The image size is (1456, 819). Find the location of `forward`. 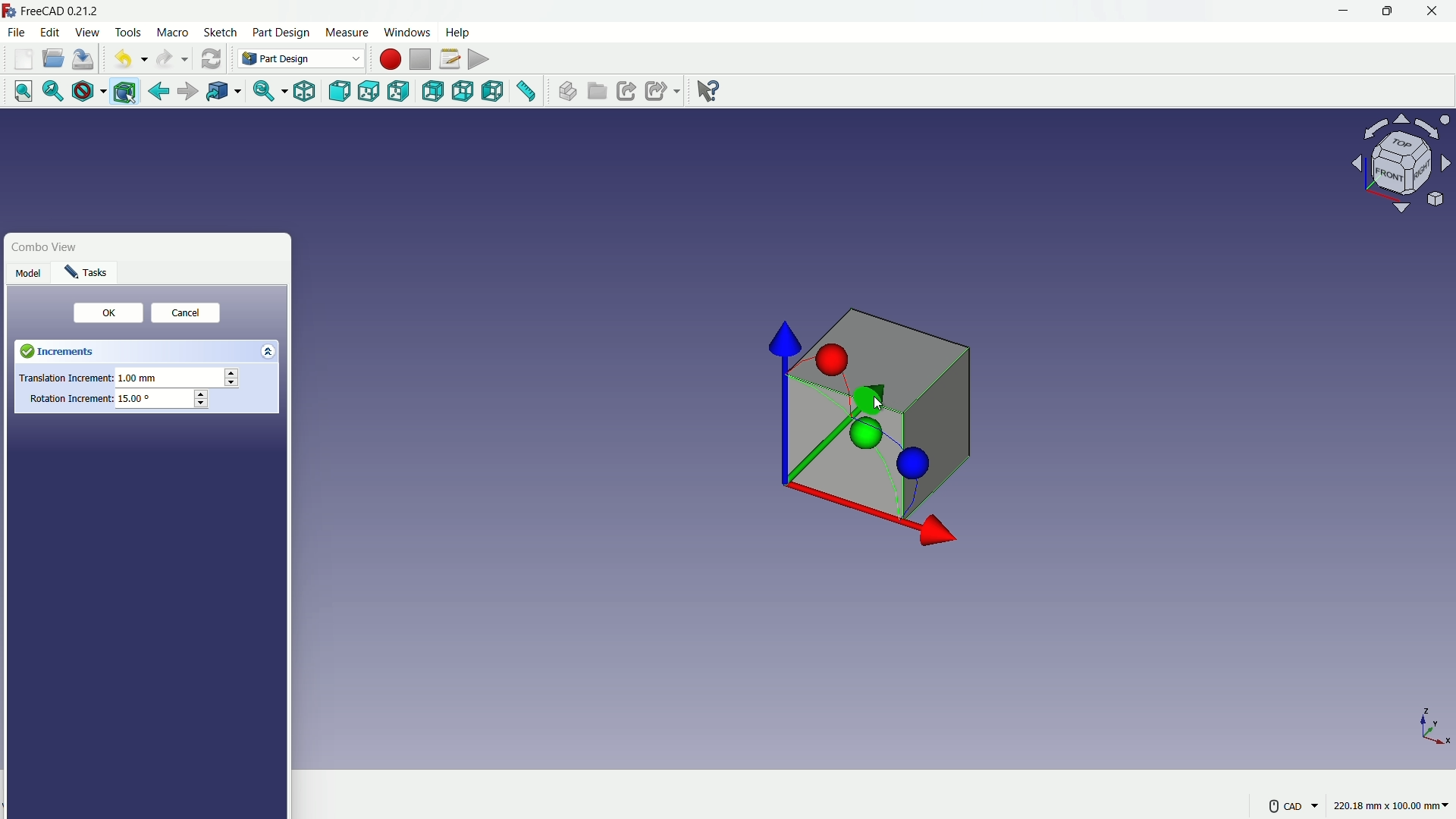

forward is located at coordinates (186, 93).